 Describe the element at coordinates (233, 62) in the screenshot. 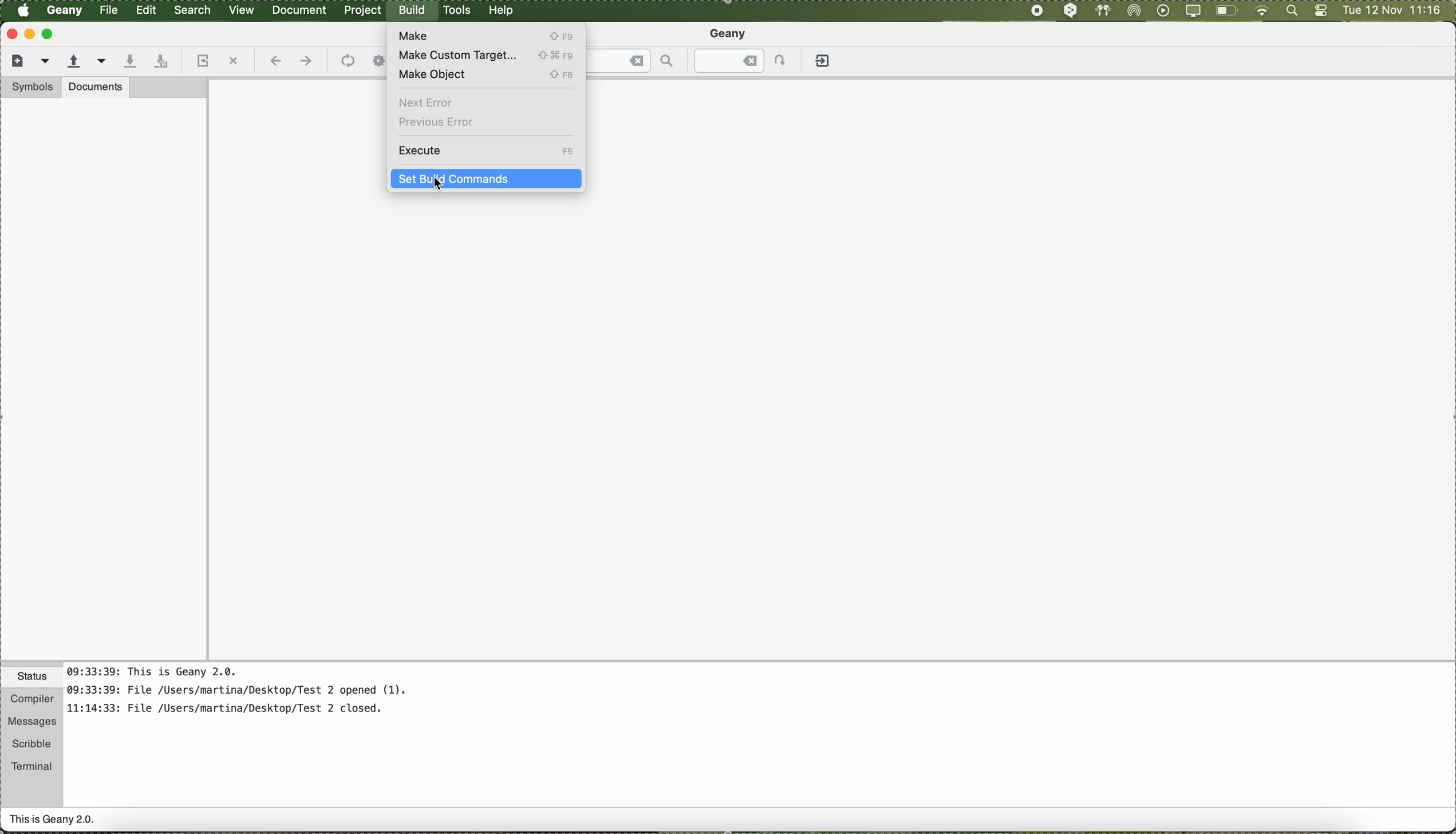

I see `close the current file` at that location.